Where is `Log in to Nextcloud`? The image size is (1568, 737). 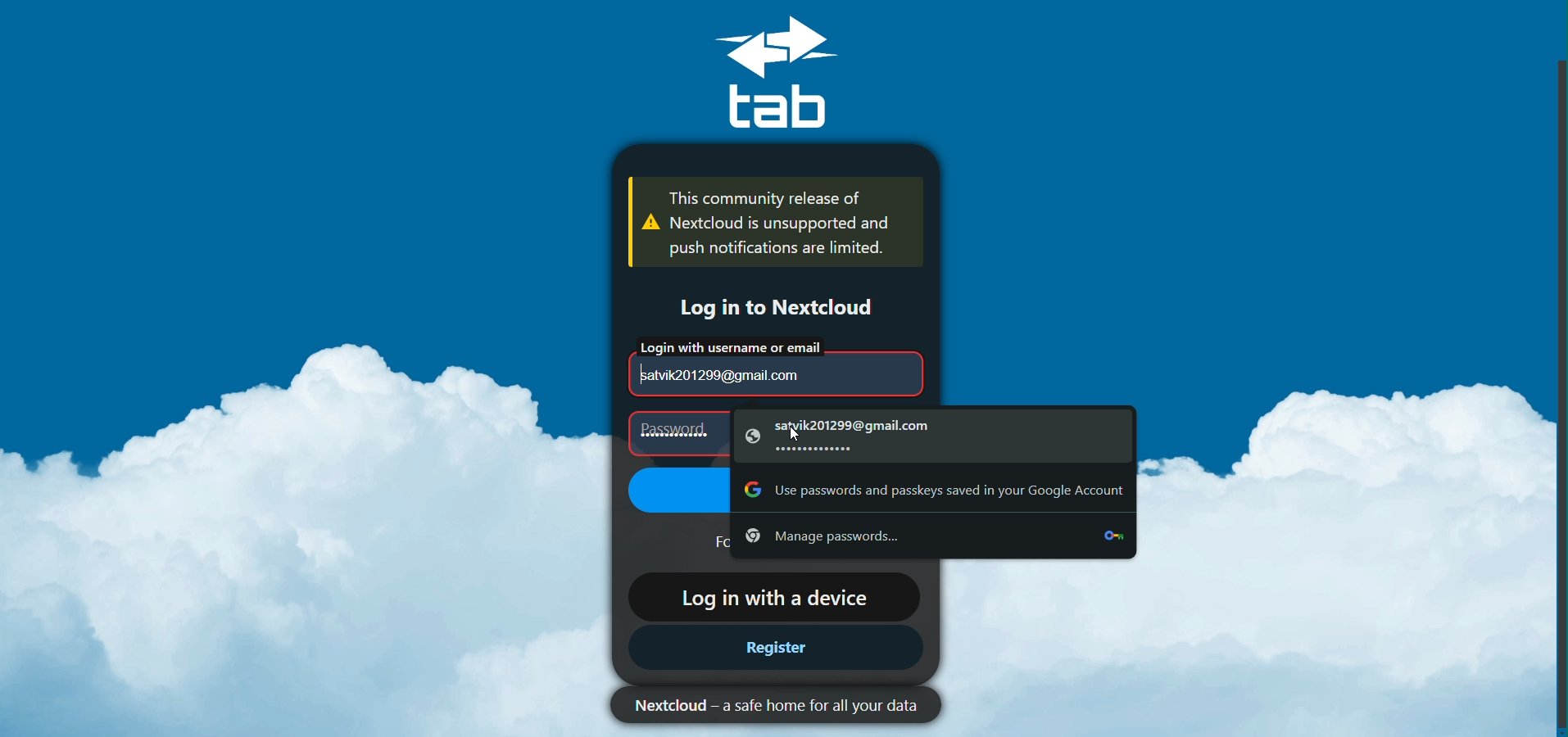 Log in to Nextcloud is located at coordinates (764, 305).